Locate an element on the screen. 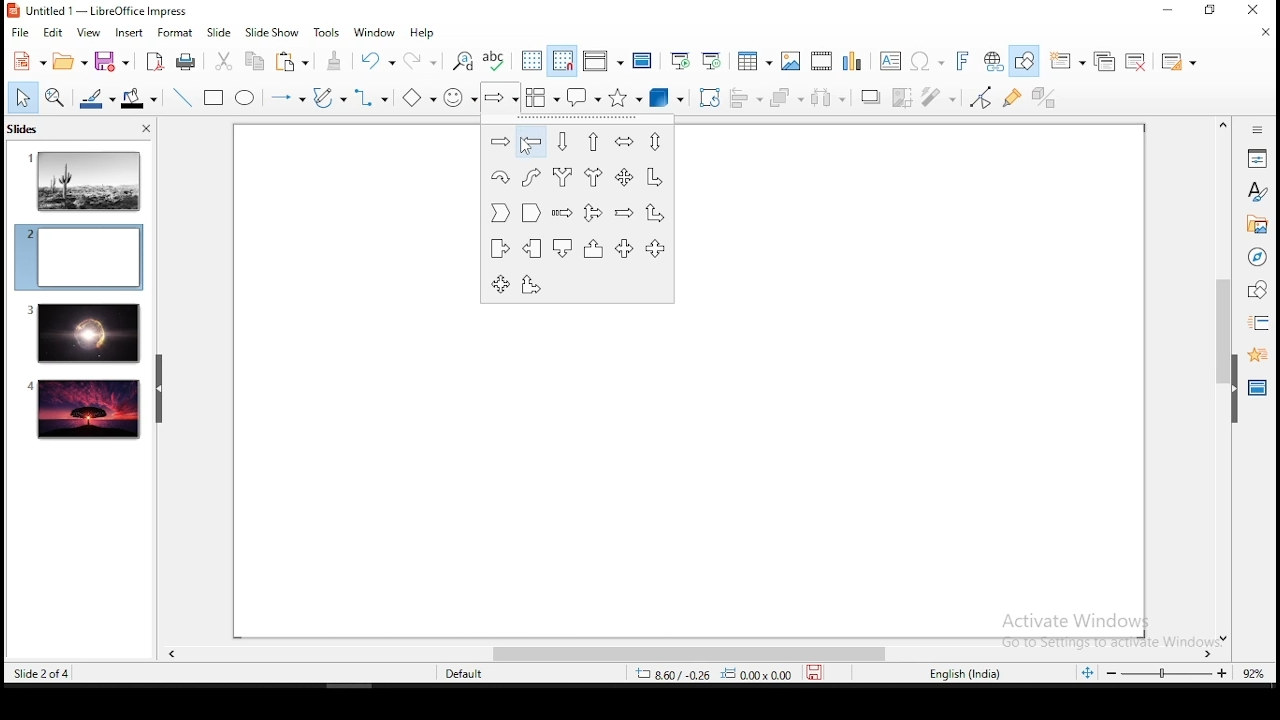 This screenshot has width=1280, height=720. shapes is located at coordinates (1255, 290).